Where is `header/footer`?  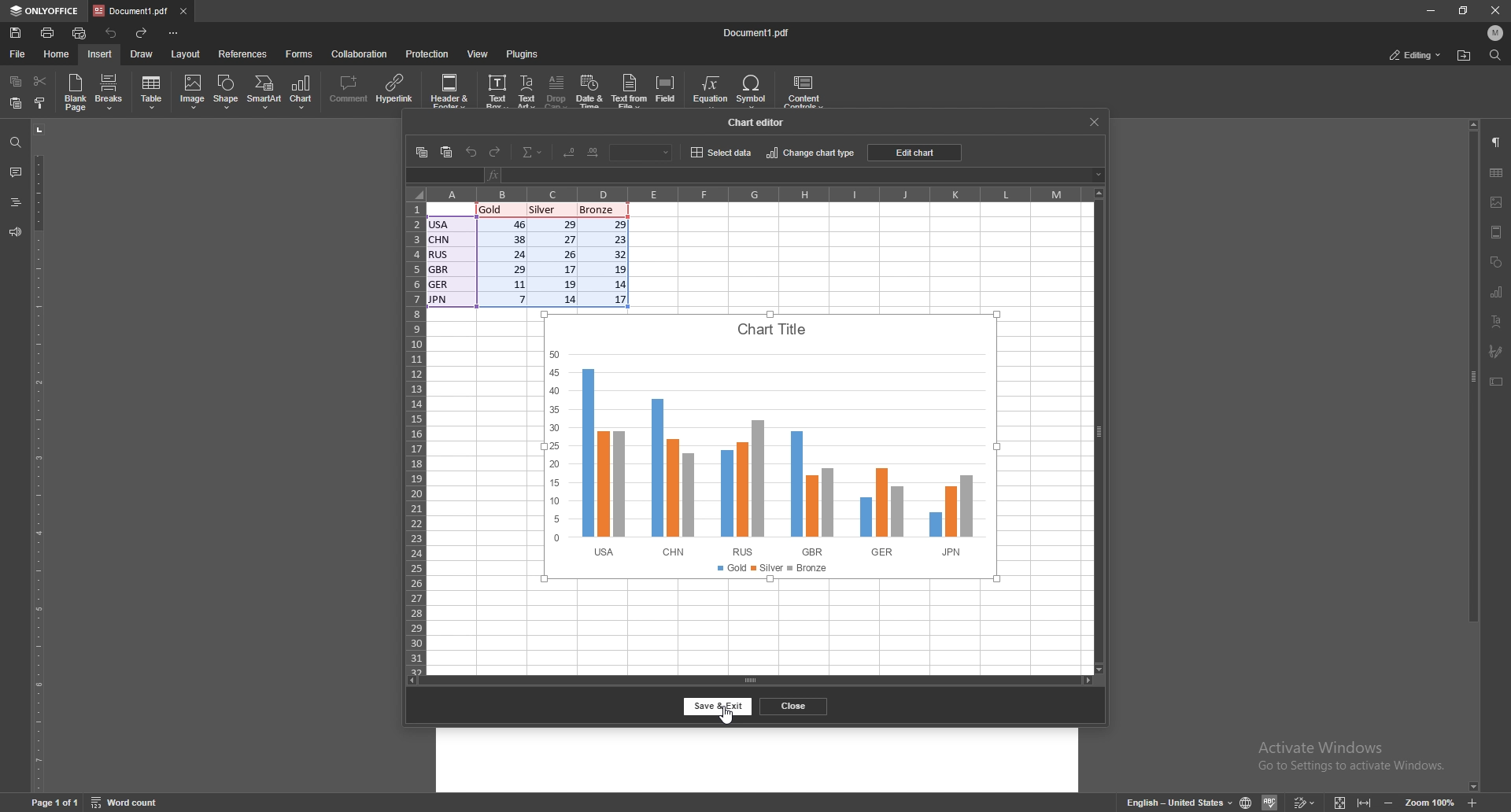
header/footer is located at coordinates (1498, 232).